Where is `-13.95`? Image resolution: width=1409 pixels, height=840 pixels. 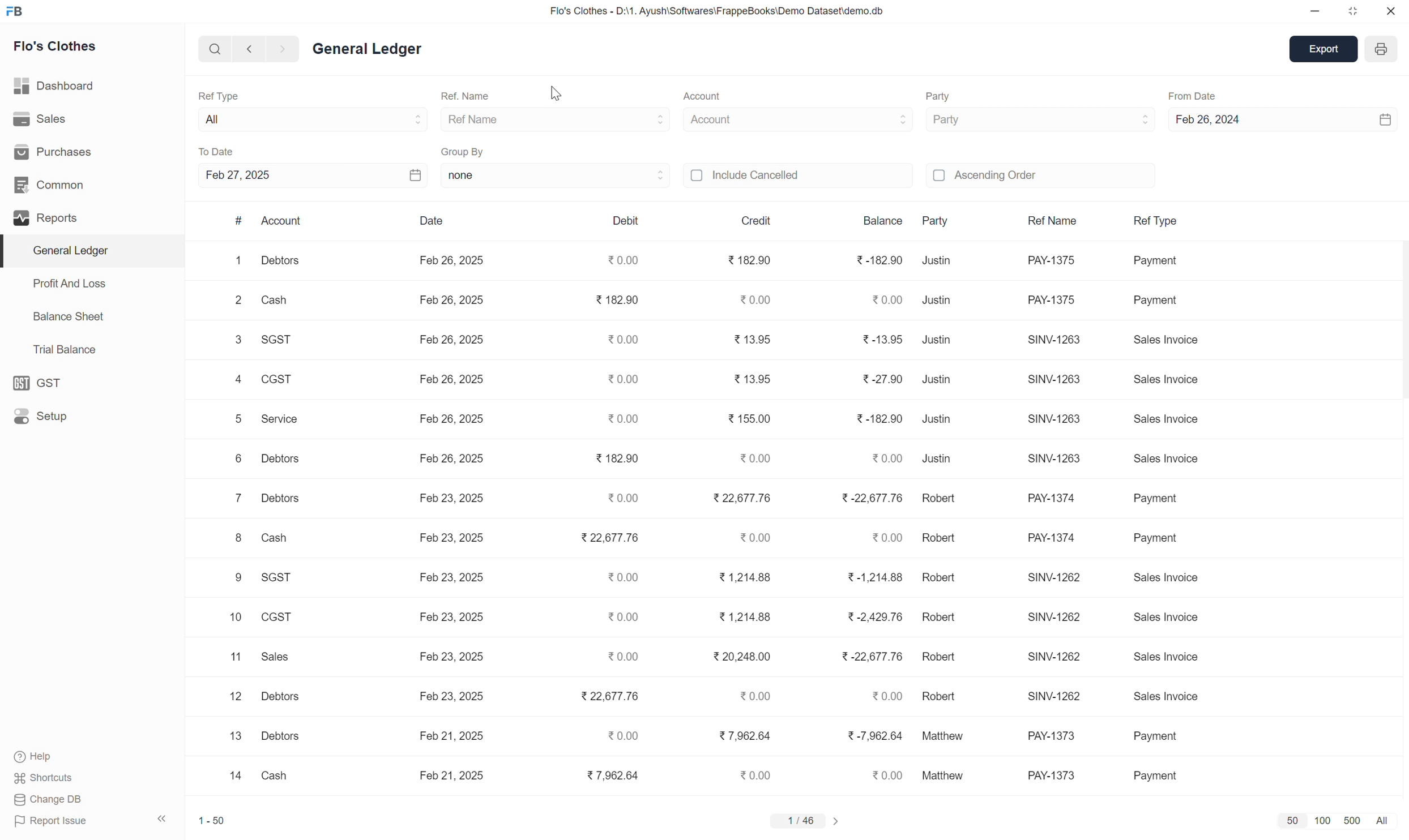 -13.95 is located at coordinates (878, 338).